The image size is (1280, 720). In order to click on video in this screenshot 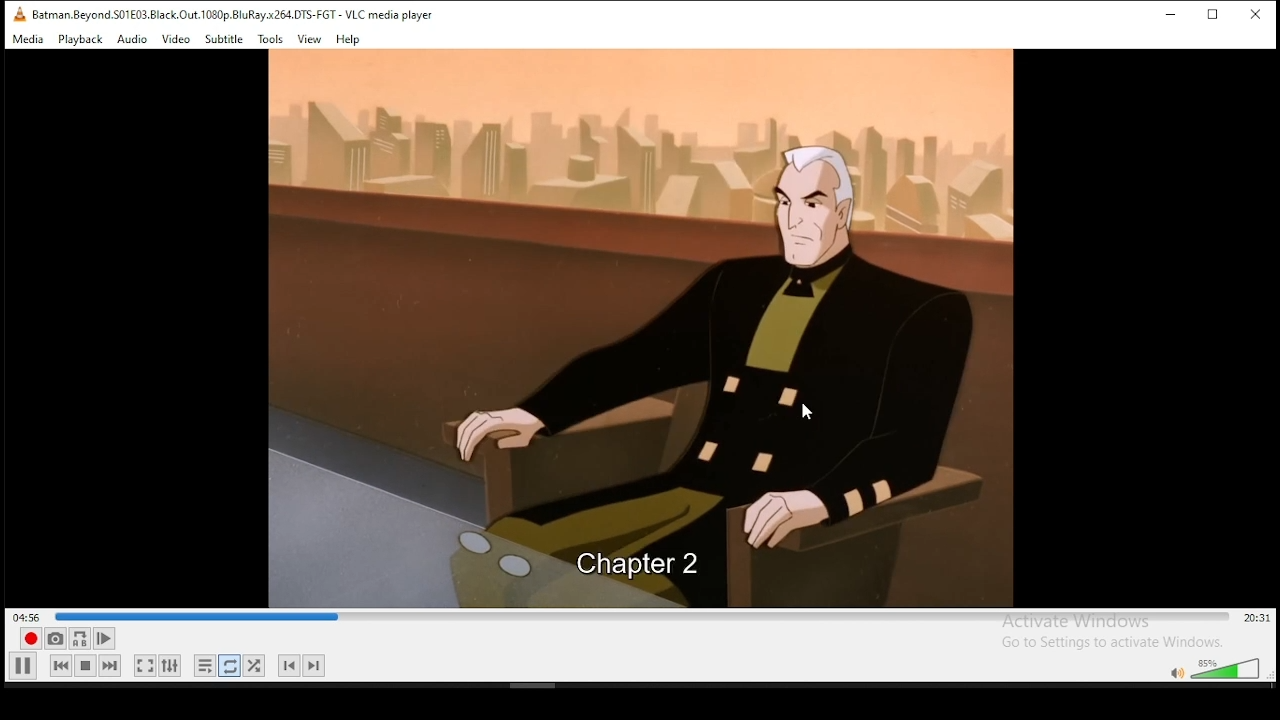, I will do `click(642, 292)`.